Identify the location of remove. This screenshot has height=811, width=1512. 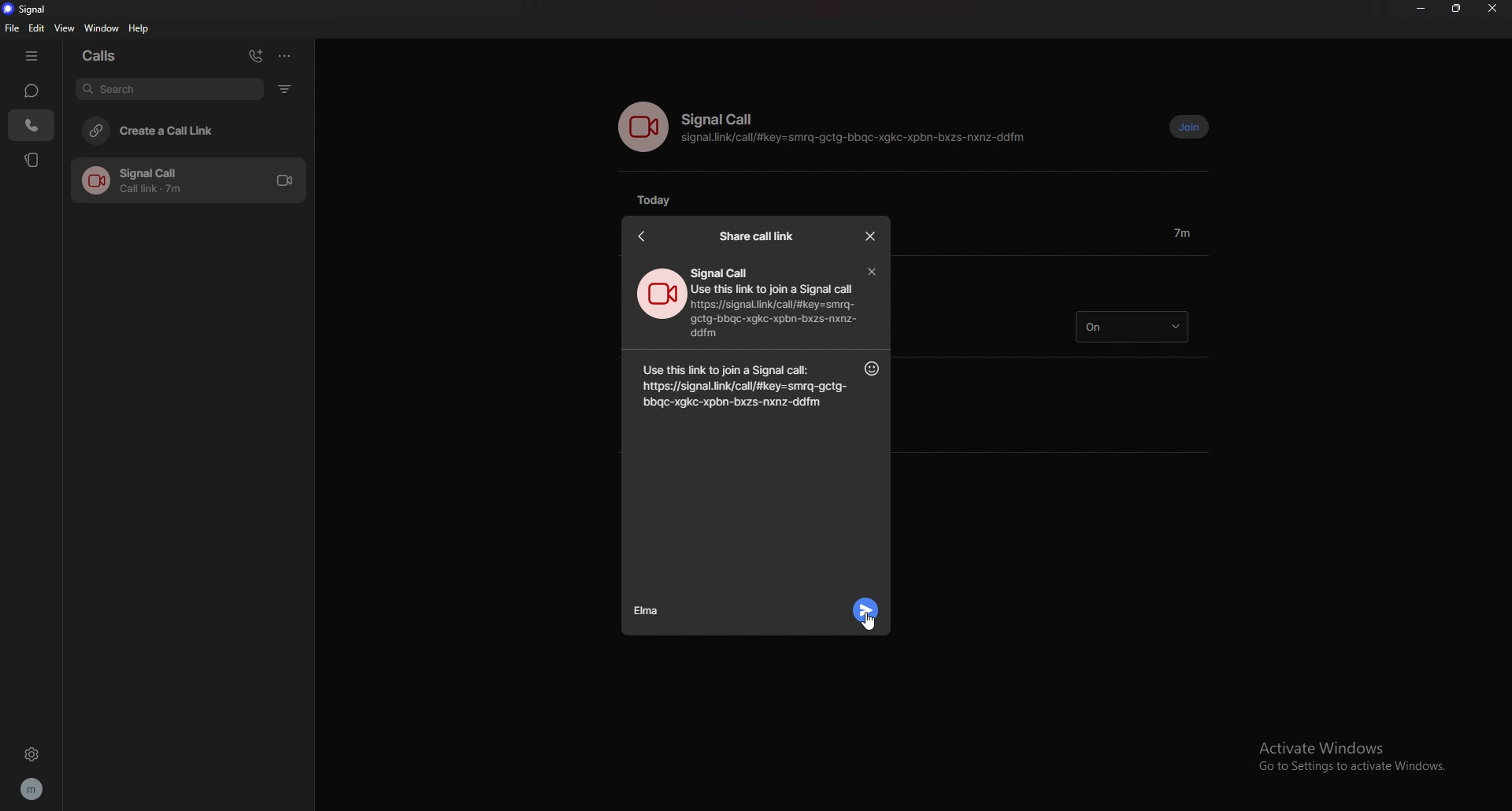
(871, 272).